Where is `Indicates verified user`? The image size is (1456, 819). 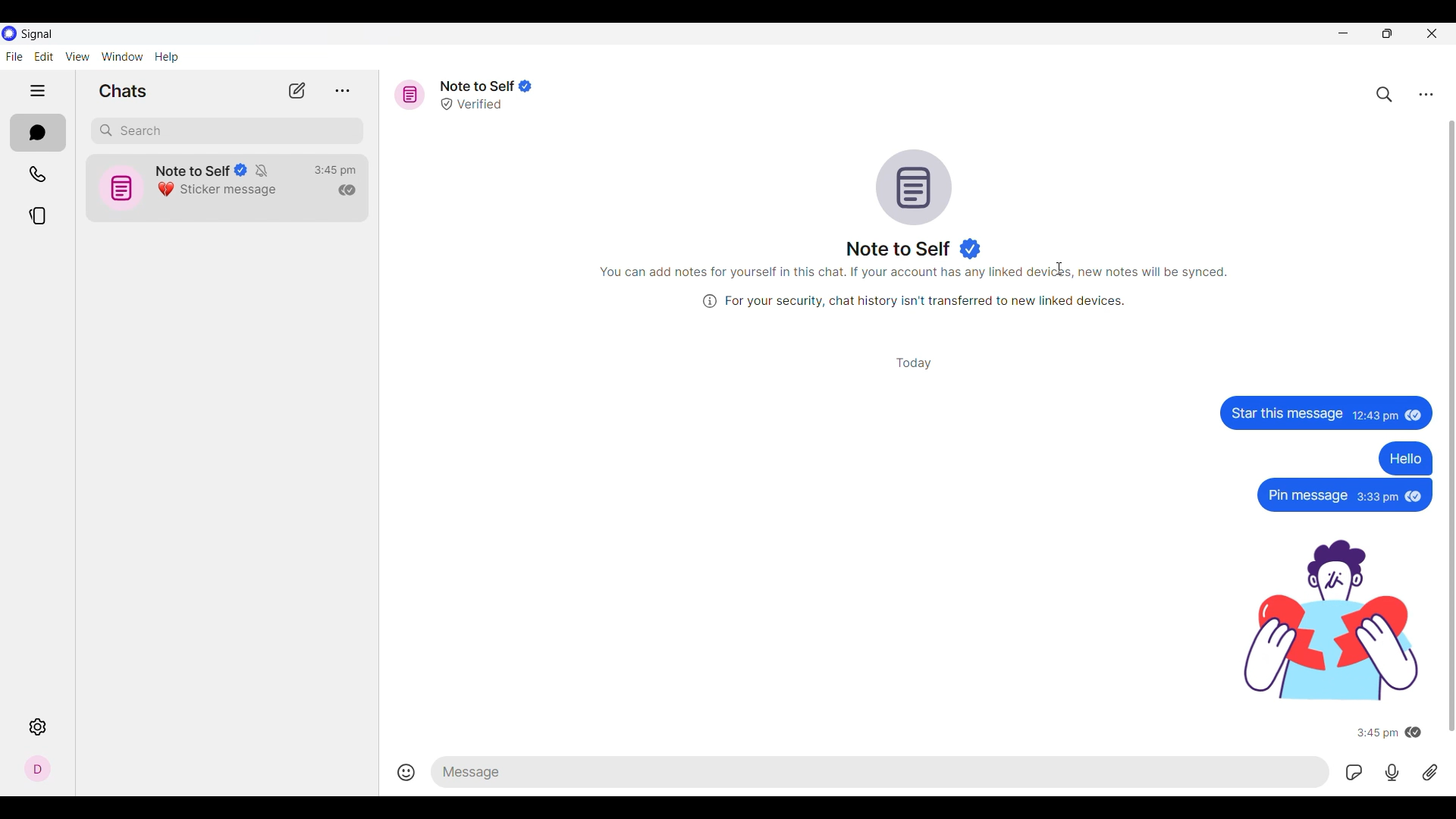
Indicates verified user is located at coordinates (971, 249).